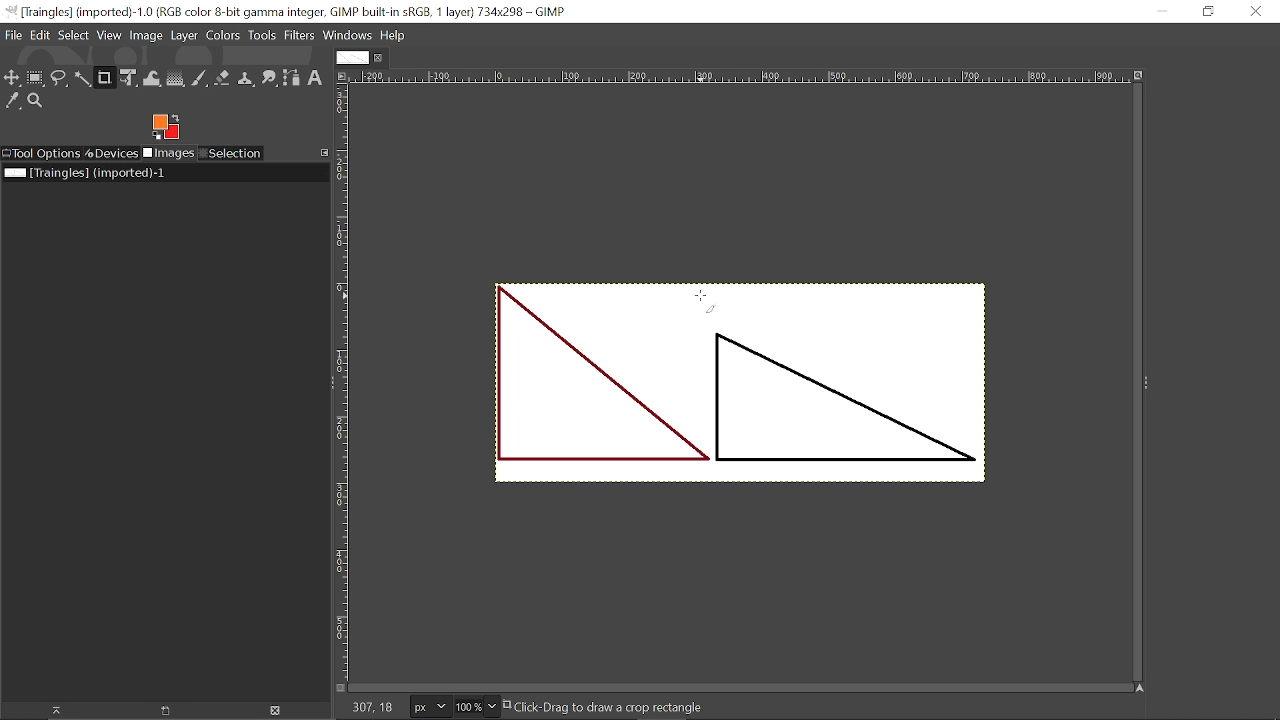 Image resolution: width=1280 pixels, height=720 pixels. Describe the element at coordinates (15, 35) in the screenshot. I see `File` at that location.